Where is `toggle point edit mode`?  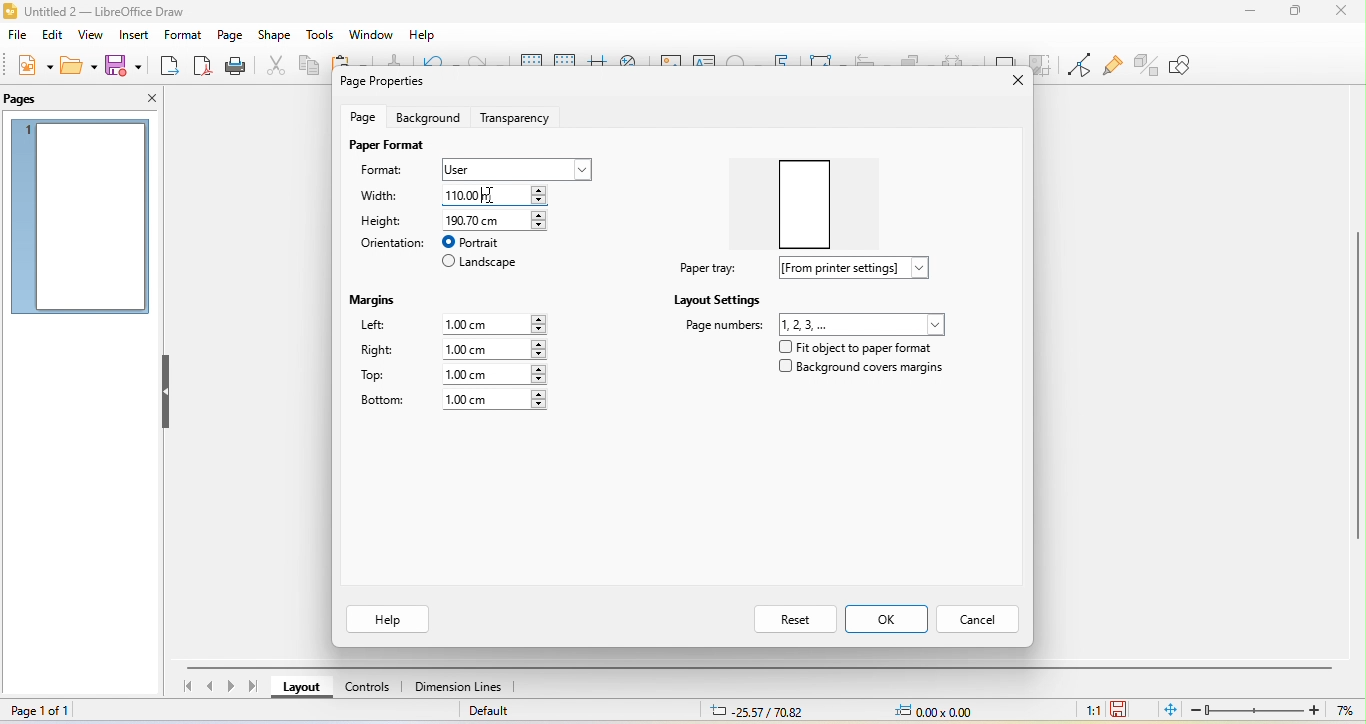
toggle point edit mode is located at coordinates (1078, 65).